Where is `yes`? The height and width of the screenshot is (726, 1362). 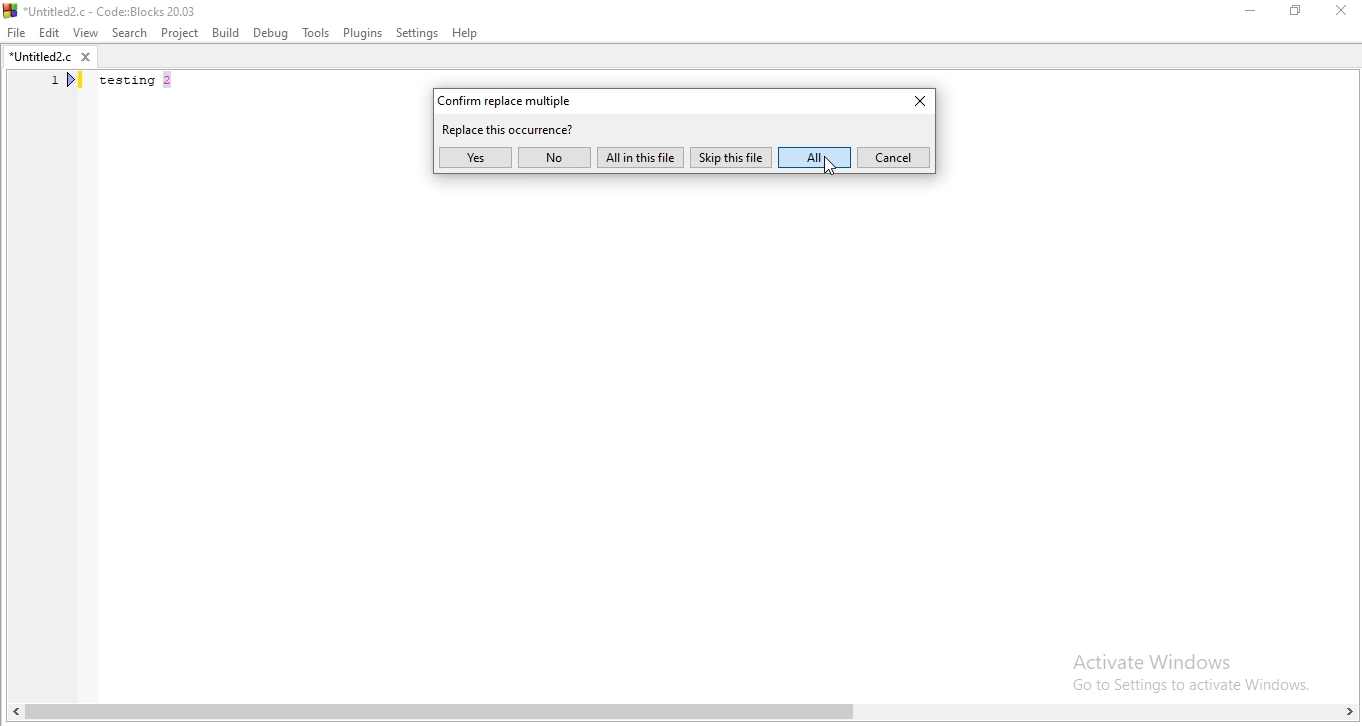 yes is located at coordinates (475, 158).